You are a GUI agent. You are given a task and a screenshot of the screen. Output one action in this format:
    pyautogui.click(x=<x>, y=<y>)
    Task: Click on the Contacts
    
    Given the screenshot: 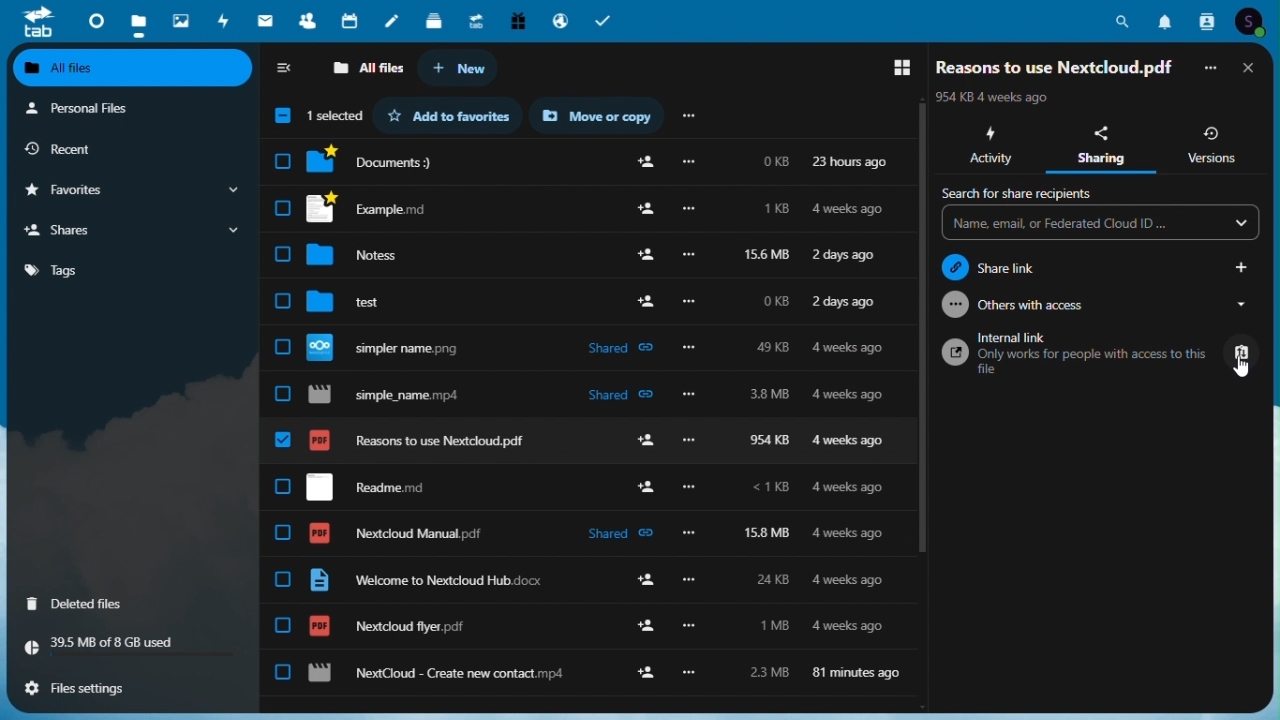 What is the action you would take?
    pyautogui.click(x=306, y=21)
    